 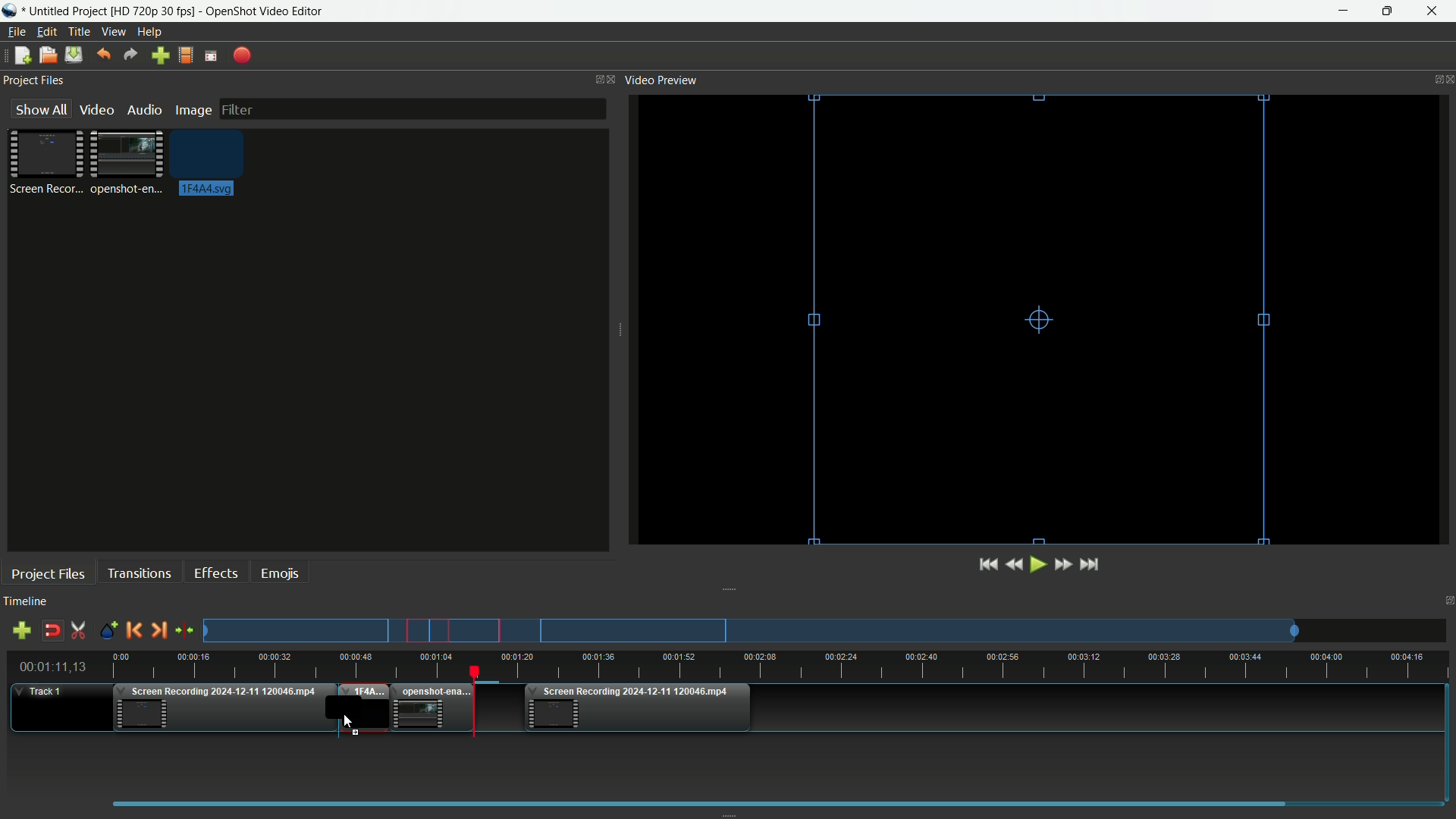 I want to click on Video one in timeline, so click(x=222, y=711).